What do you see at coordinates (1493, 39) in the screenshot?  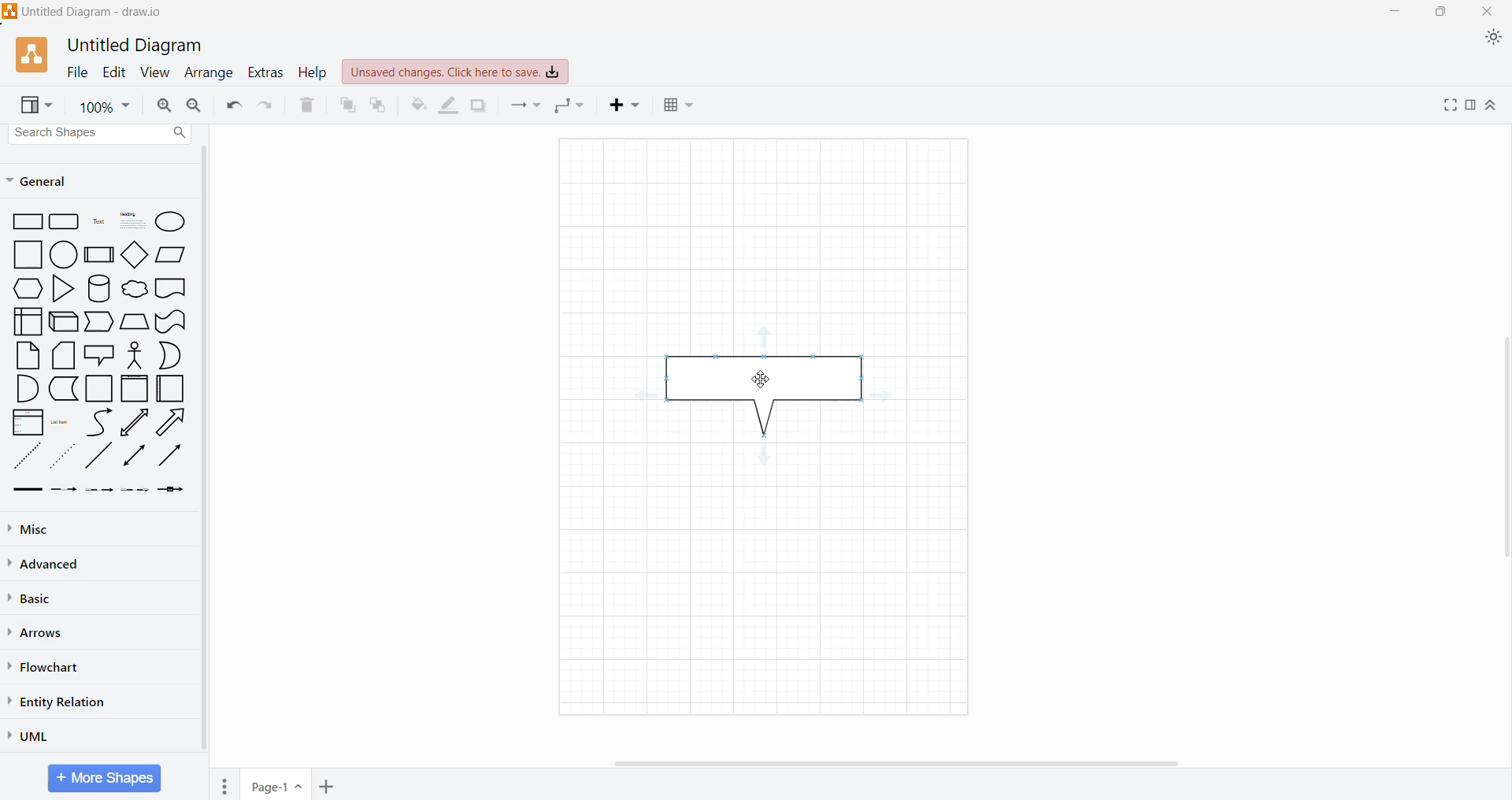 I see `Appearance` at bounding box center [1493, 39].